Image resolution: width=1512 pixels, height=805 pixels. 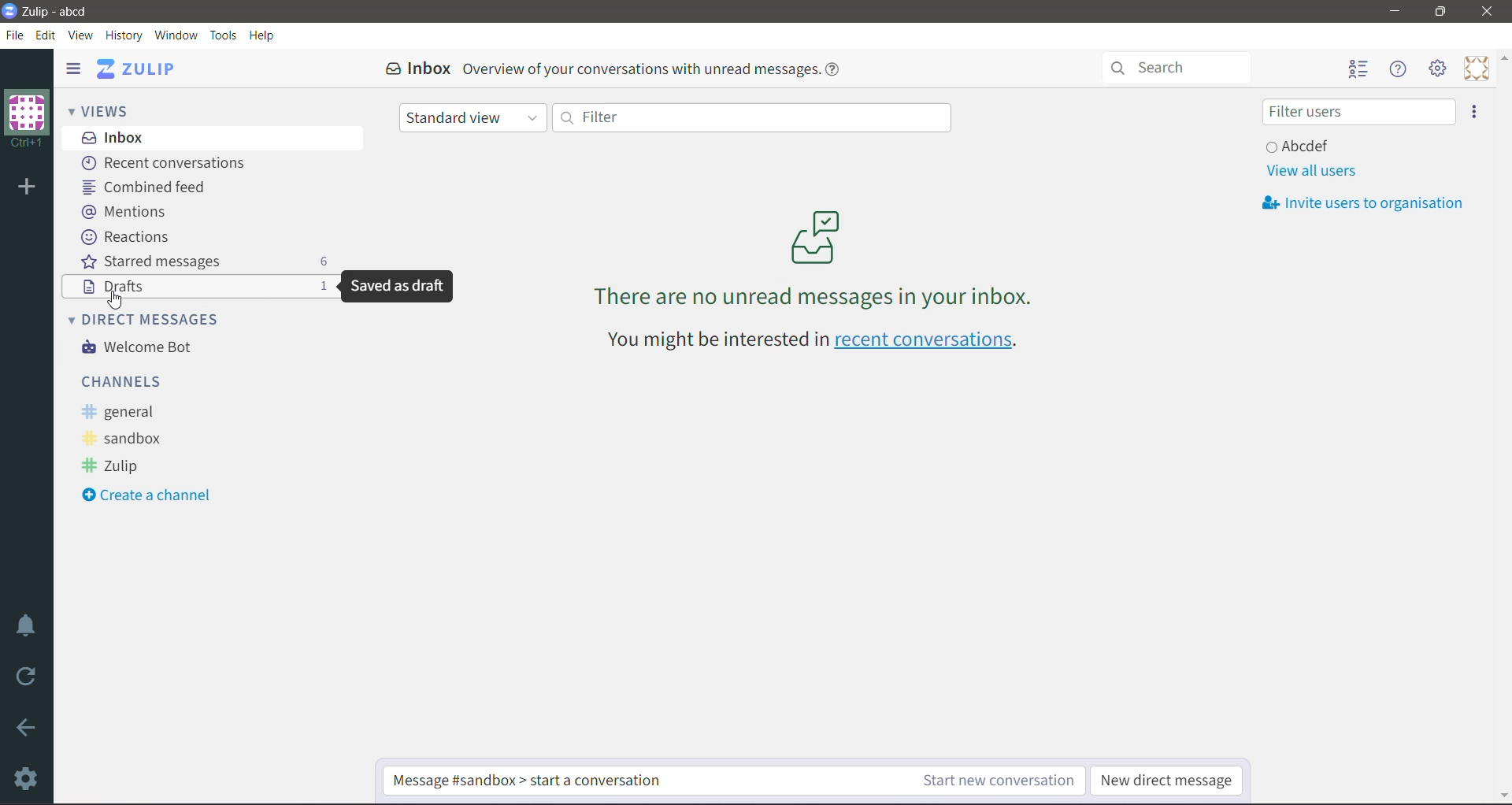 I want to click on Hide user list, so click(x=1357, y=70).